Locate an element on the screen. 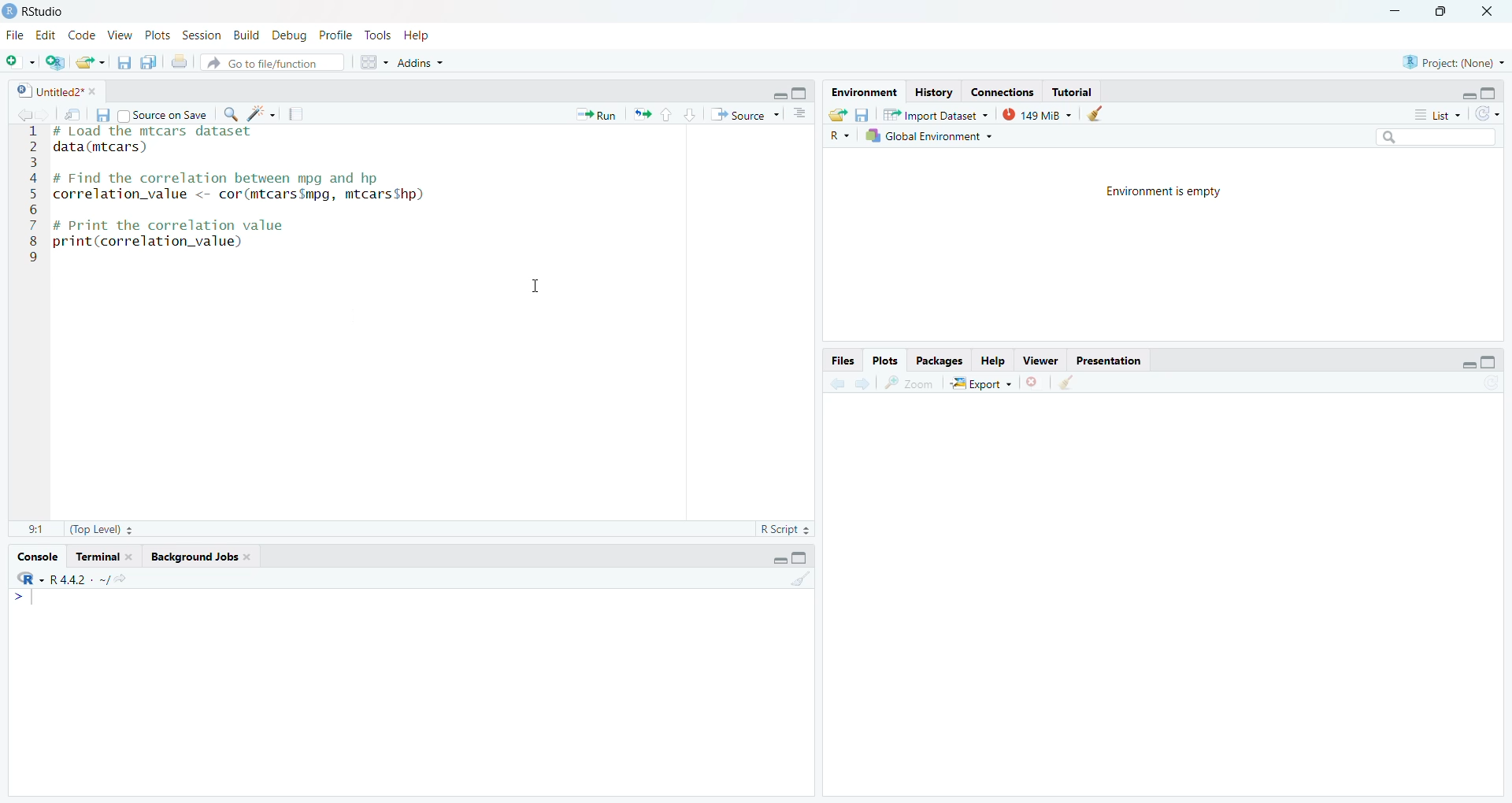  (Top Level) is located at coordinates (99, 529).